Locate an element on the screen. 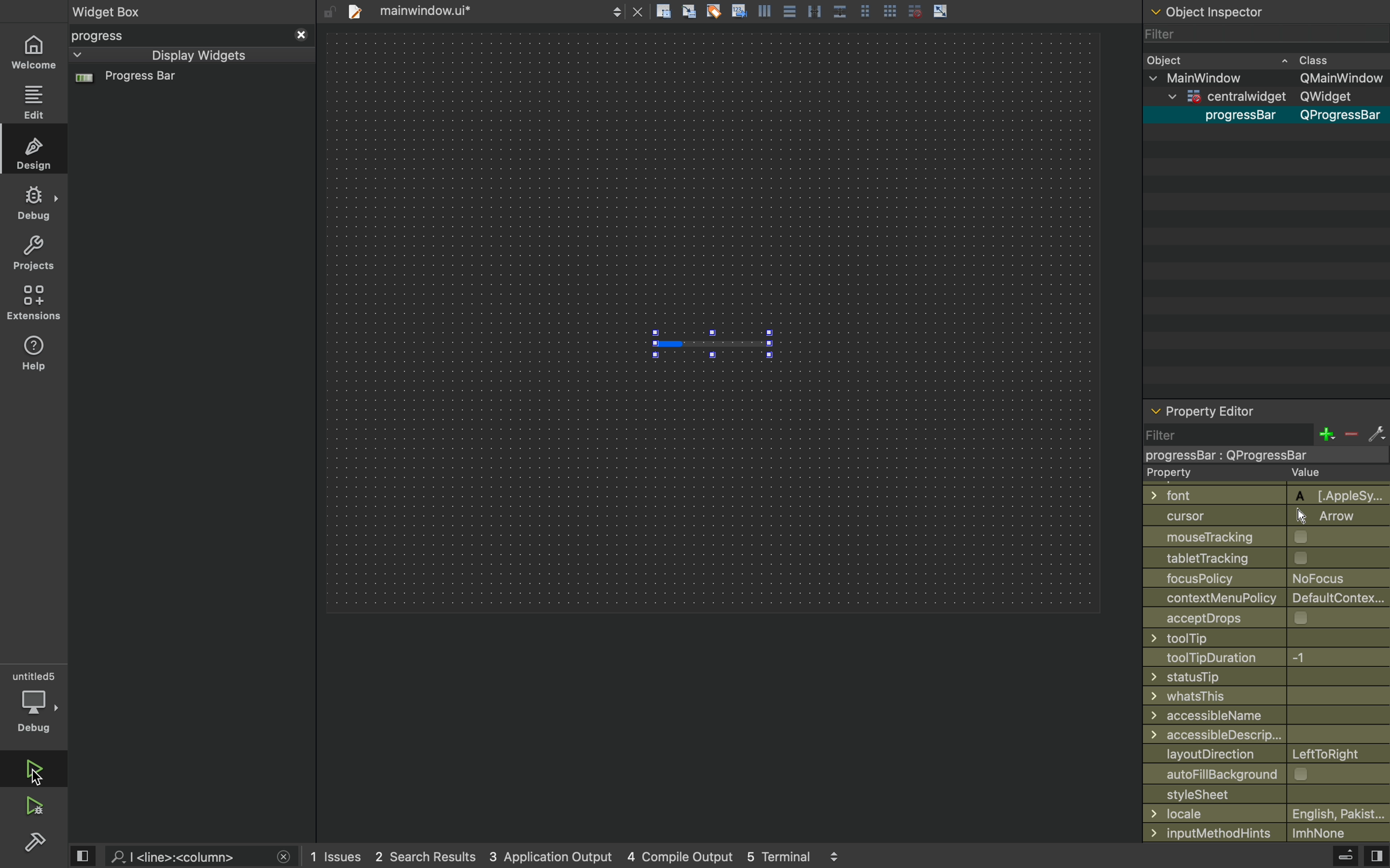 This screenshot has height=868, width=1390. layout actions is located at coordinates (856, 11).